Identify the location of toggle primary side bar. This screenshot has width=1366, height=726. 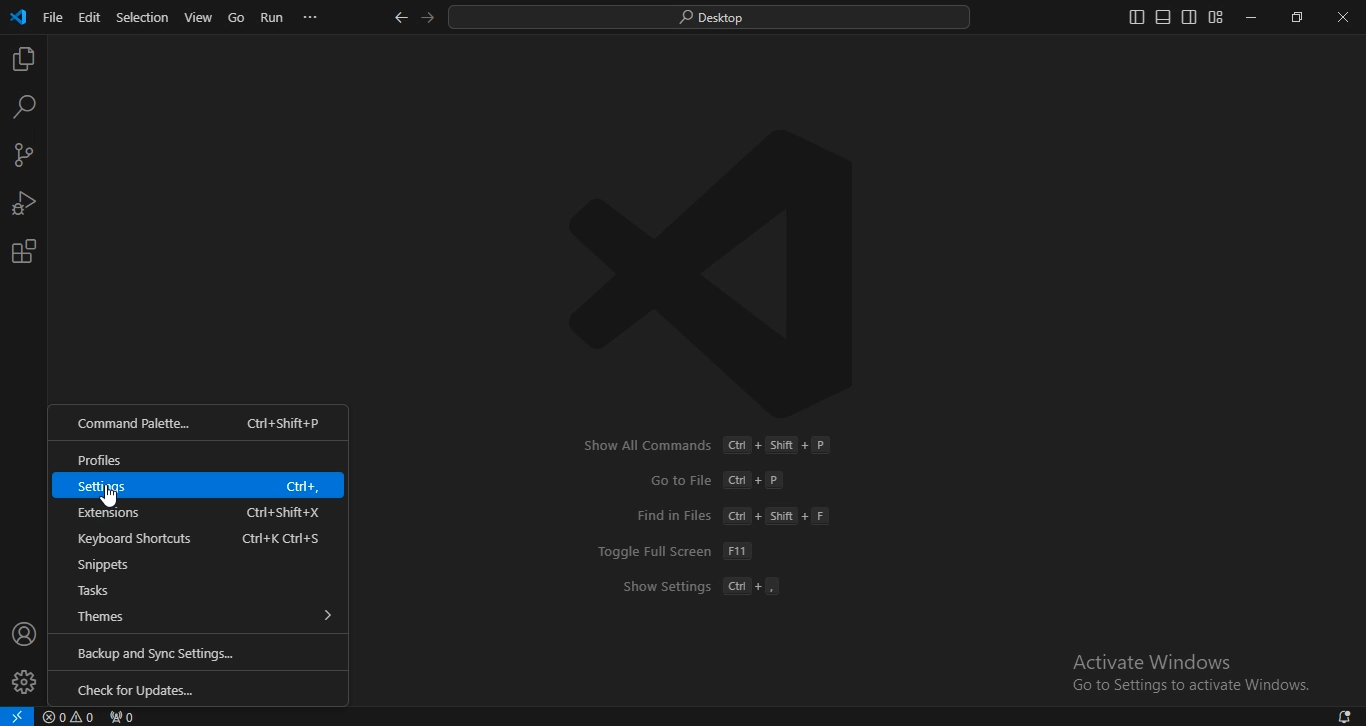
(1137, 17).